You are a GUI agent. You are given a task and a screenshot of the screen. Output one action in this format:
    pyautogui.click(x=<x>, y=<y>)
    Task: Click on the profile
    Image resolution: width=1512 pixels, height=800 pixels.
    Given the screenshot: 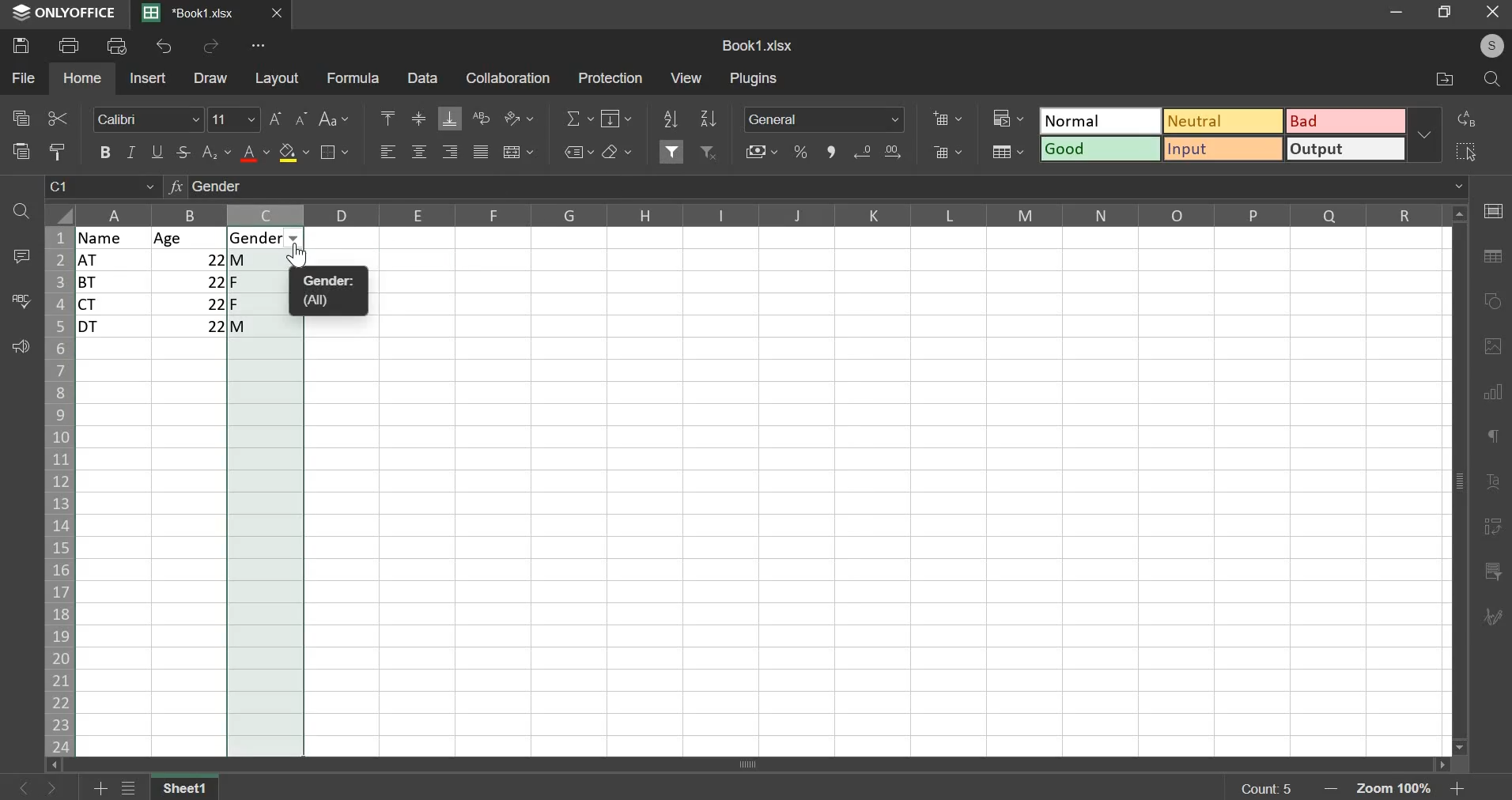 What is the action you would take?
    pyautogui.click(x=1492, y=47)
    